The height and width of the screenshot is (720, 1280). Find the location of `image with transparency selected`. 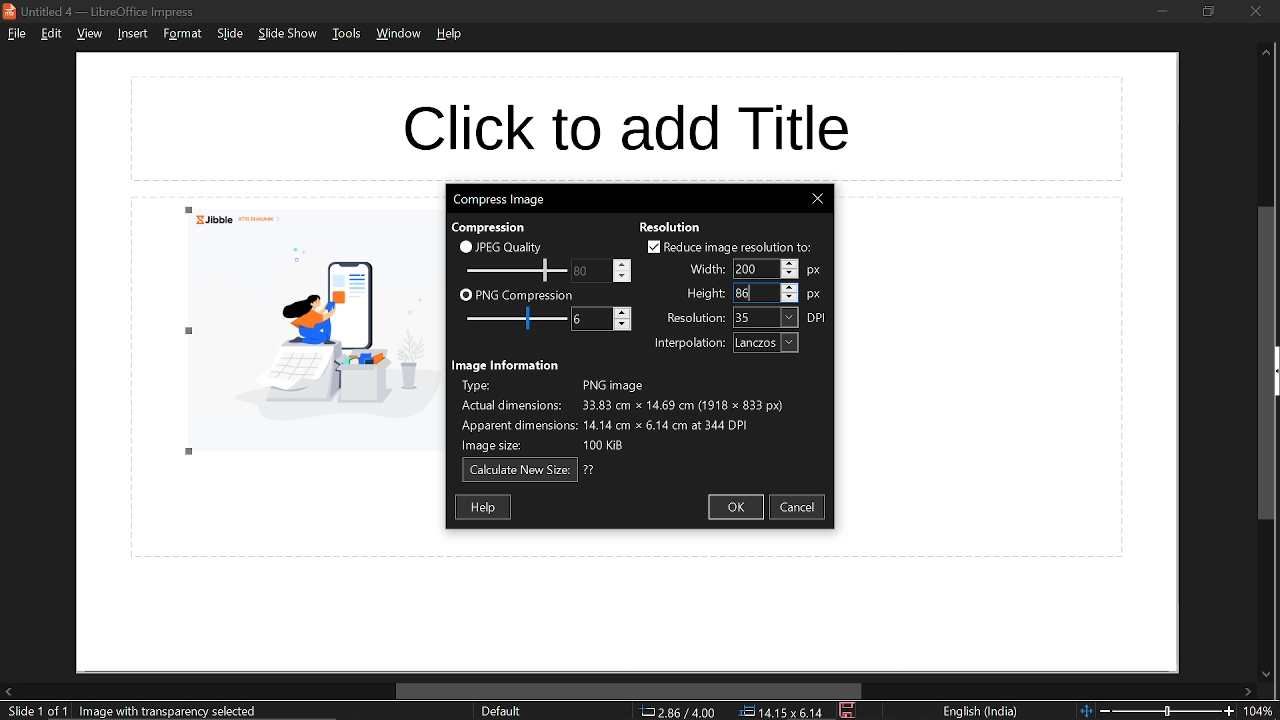

image with transparency selected is located at coordinates (174, 711).